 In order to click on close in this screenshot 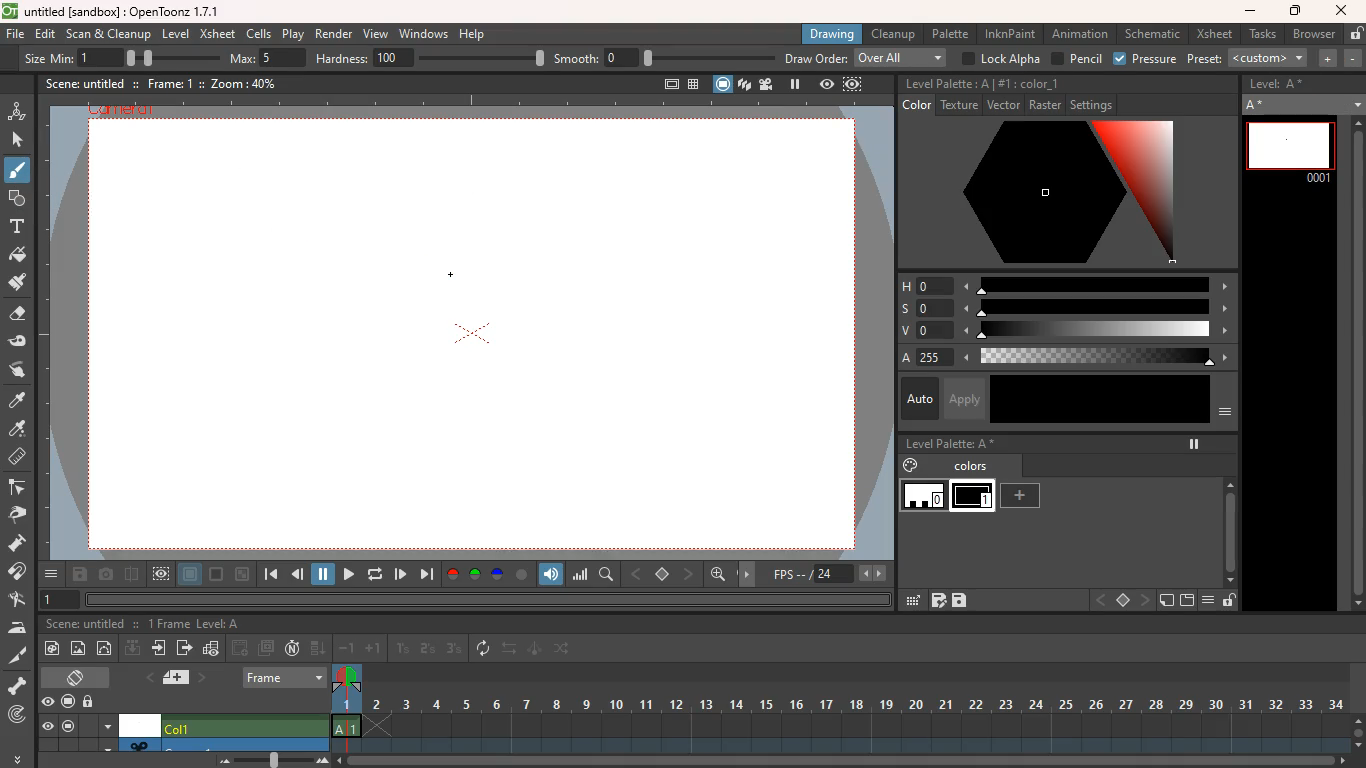, I will do `click(1342, 10)`.